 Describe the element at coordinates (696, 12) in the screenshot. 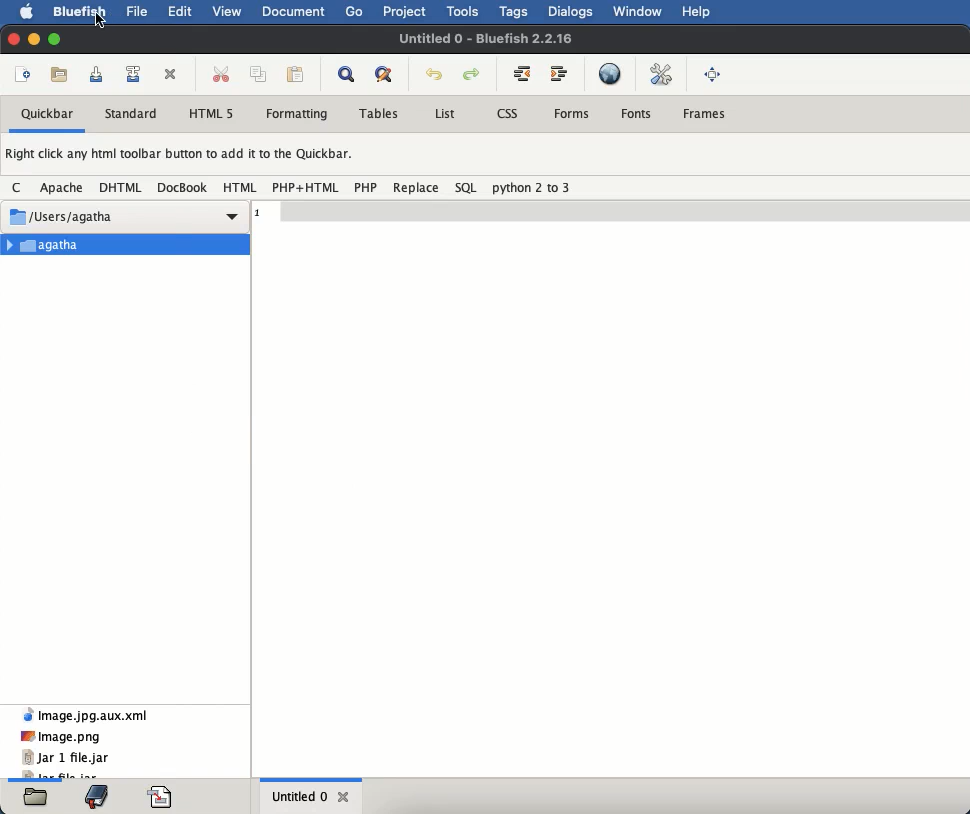

I see `help` at that location.